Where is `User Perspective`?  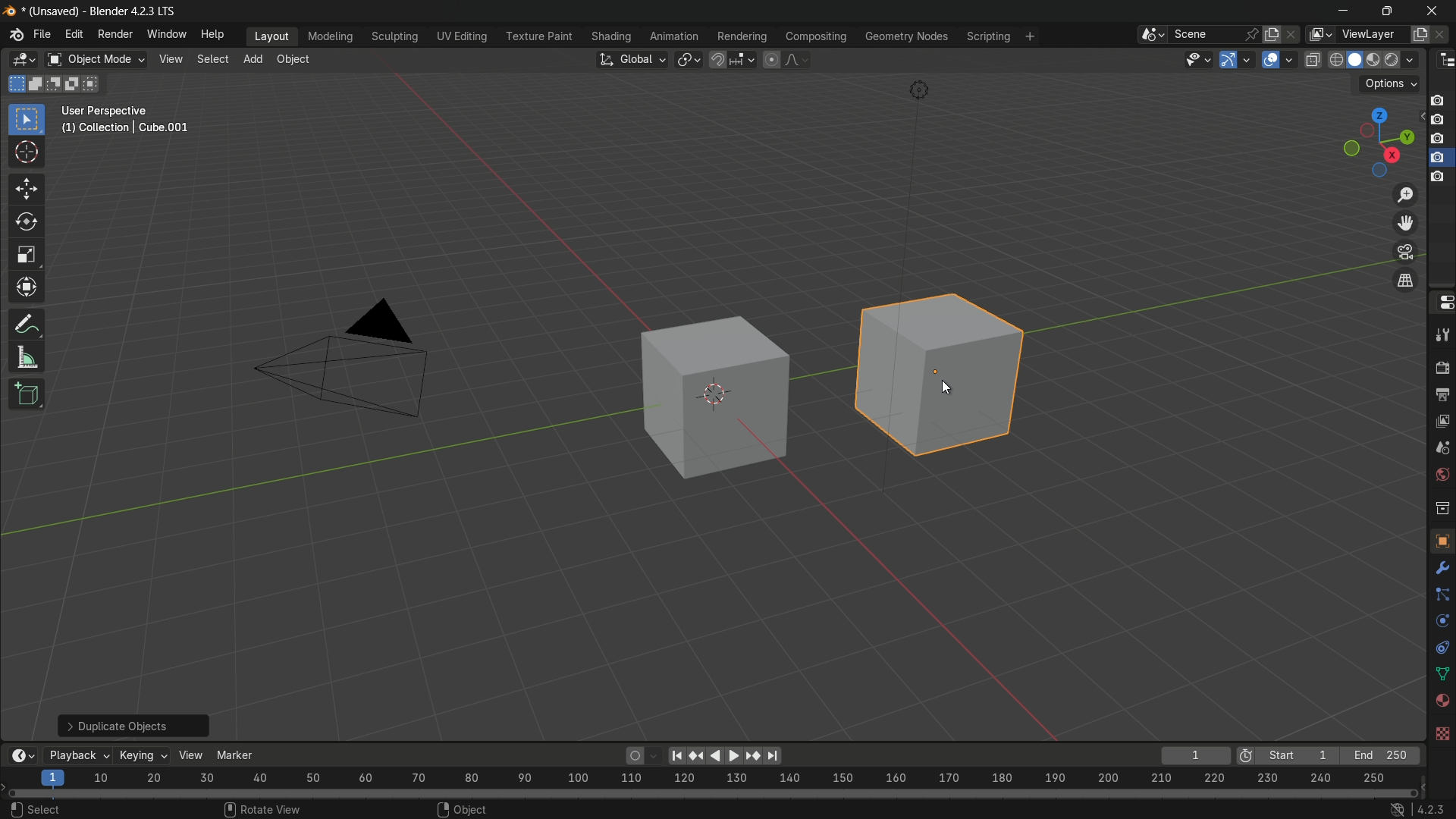
User Perspective is located at coordinates (130, 121).